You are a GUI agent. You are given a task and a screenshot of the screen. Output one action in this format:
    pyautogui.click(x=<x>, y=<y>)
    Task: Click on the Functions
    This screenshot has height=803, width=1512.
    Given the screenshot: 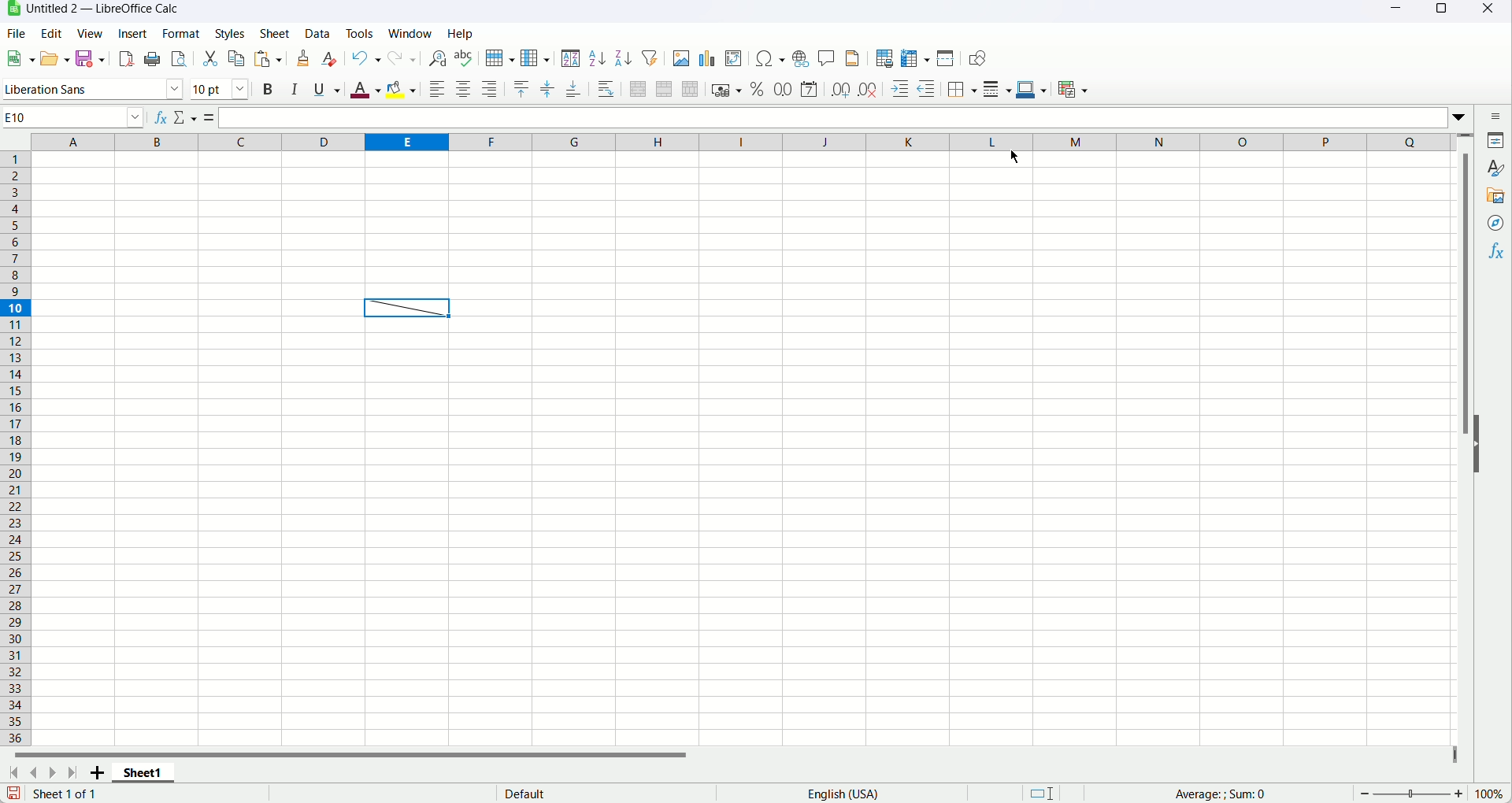 What is the action you would take?
    pyautogui.click(x=1497, y=252)
    